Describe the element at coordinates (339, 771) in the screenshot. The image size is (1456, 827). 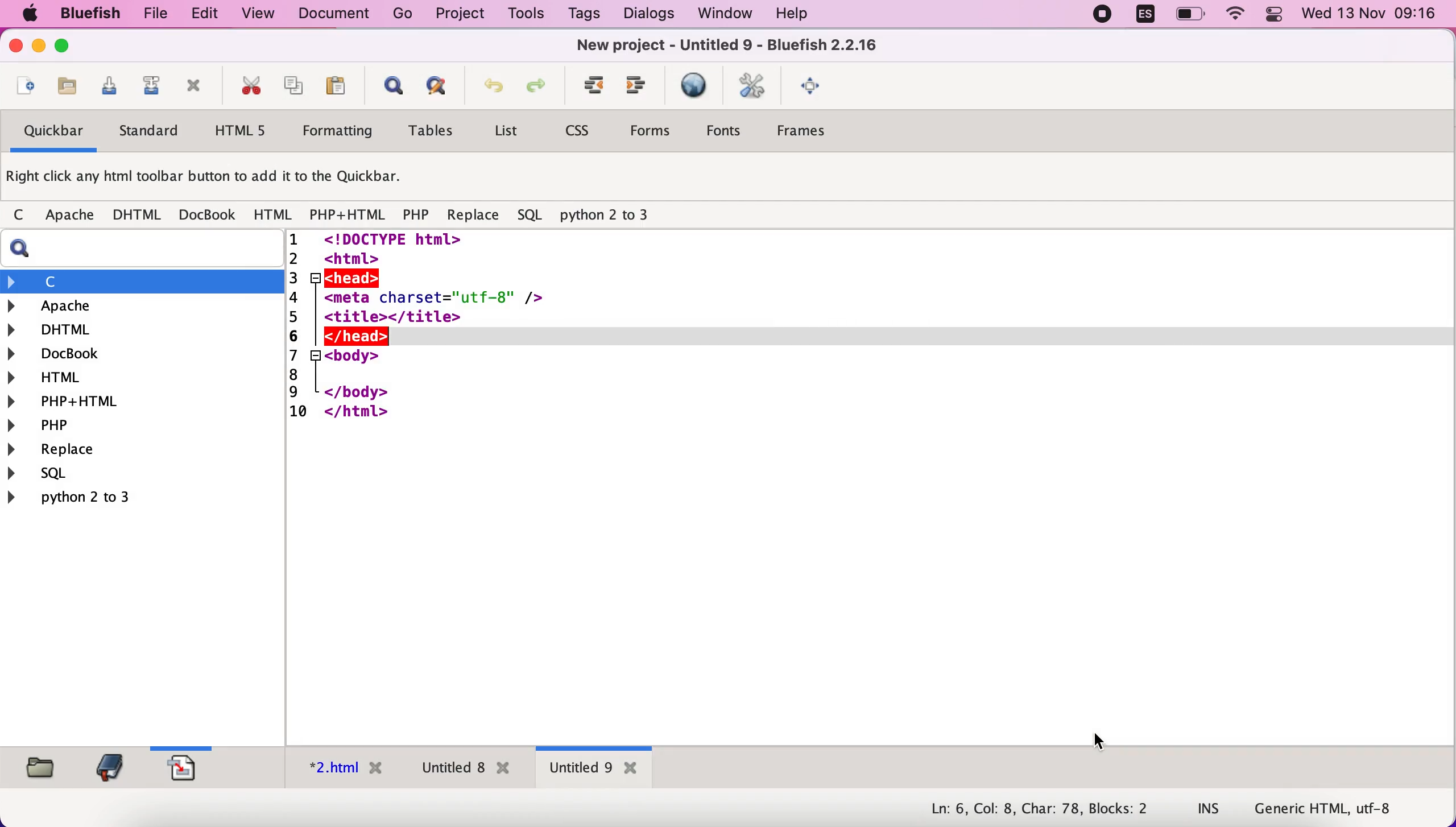
I see `tab` at that location.